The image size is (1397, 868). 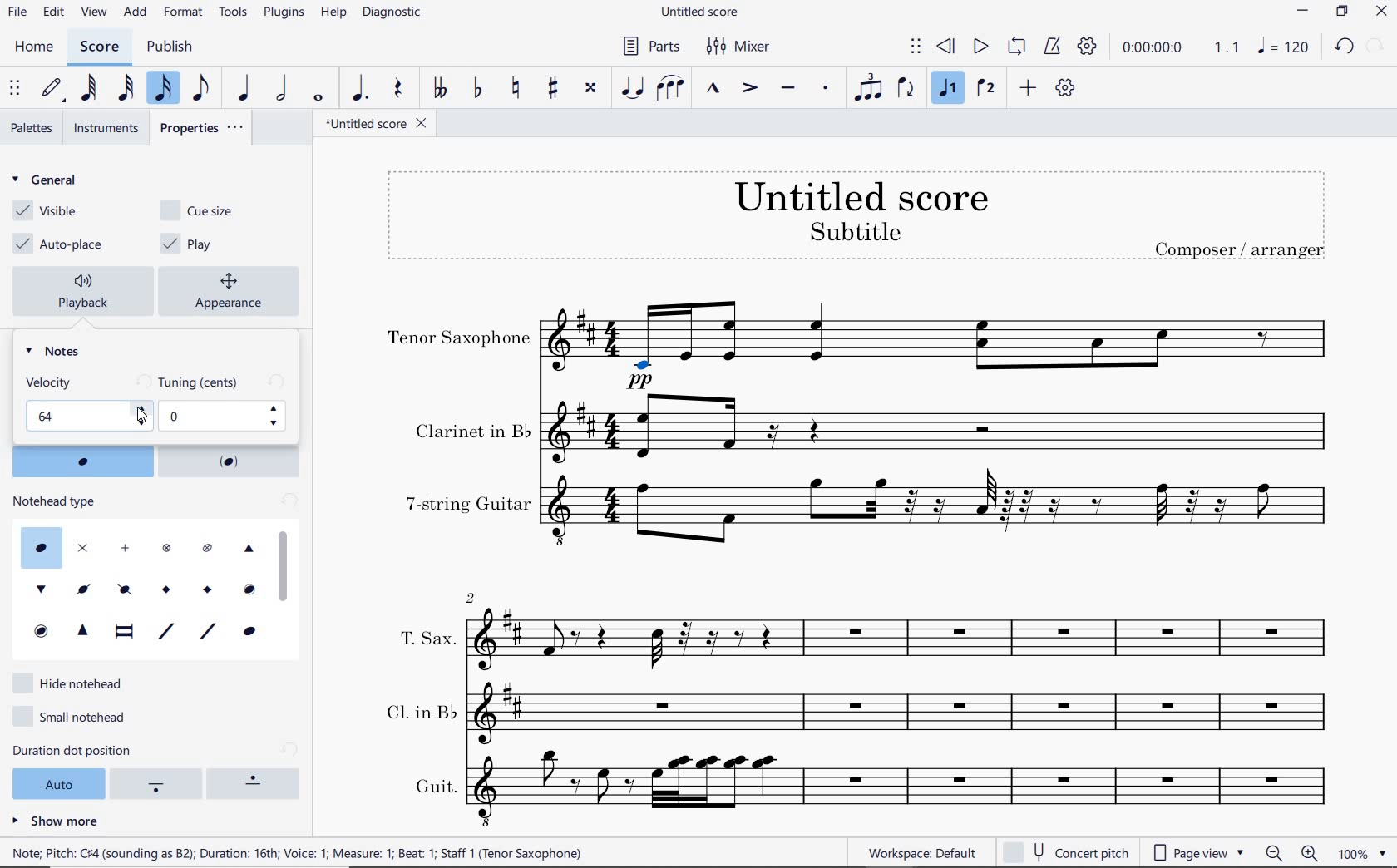 What do you see at coordinates (1239, 248) in the screenshot?
I see `text` at bounding box center [1239, 248].